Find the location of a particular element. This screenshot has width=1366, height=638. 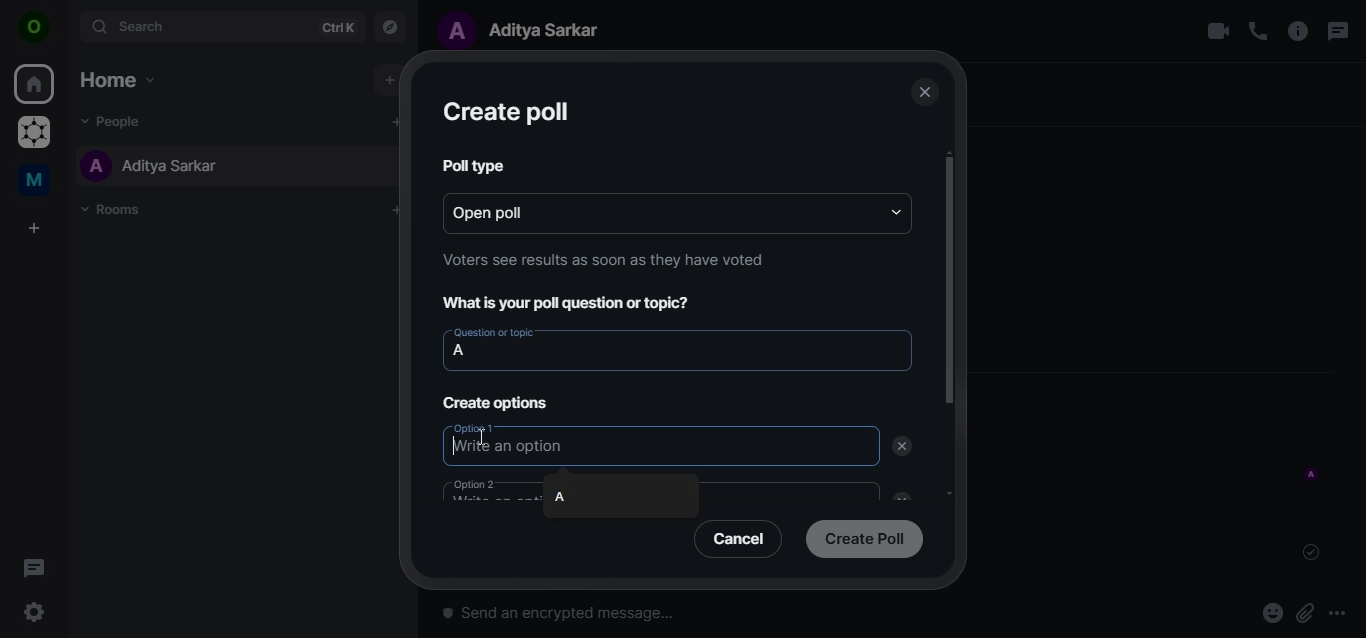

Voters see results as soon as they have voted is located at coordinates (604, 259).